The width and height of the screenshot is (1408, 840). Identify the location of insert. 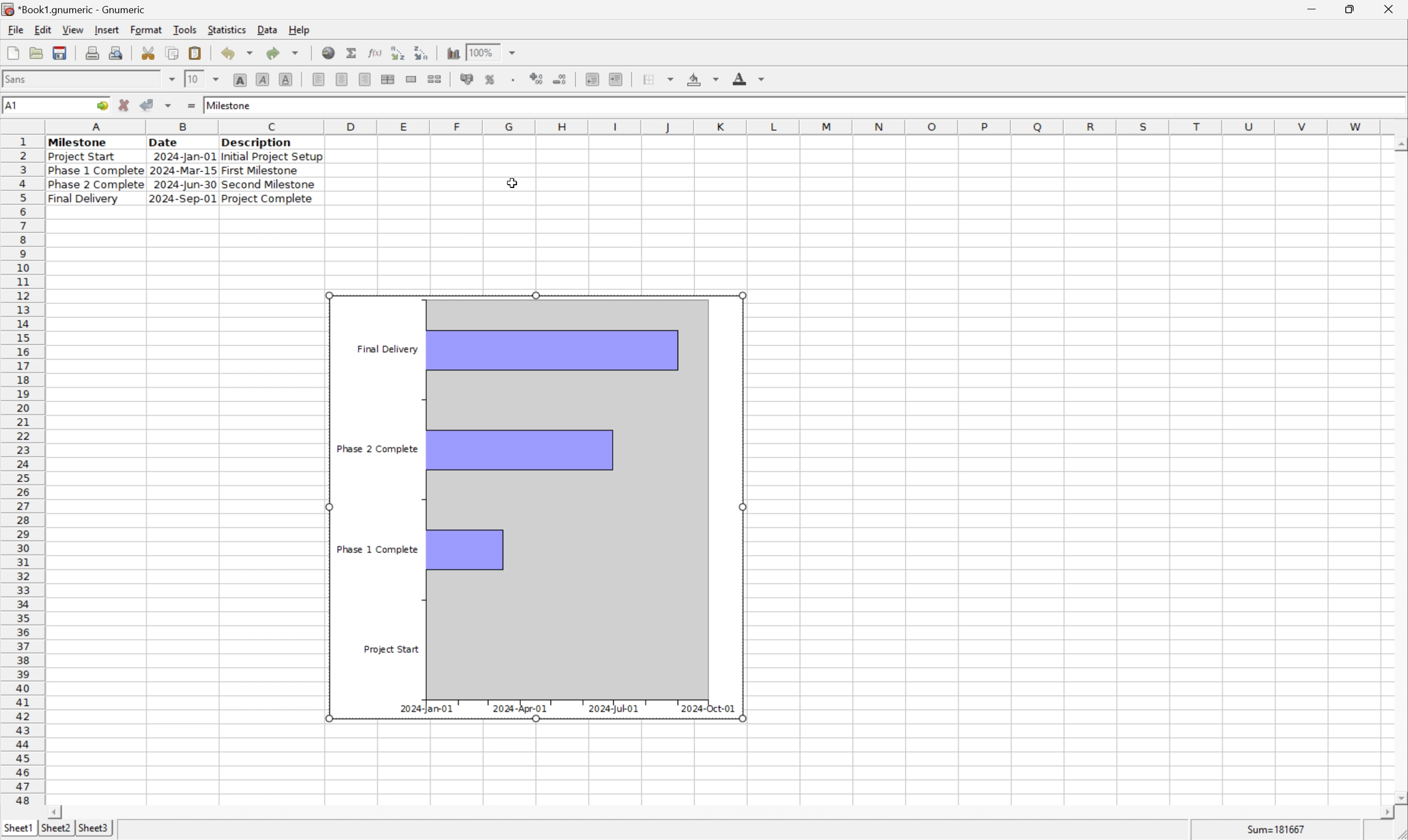
(106, 31).